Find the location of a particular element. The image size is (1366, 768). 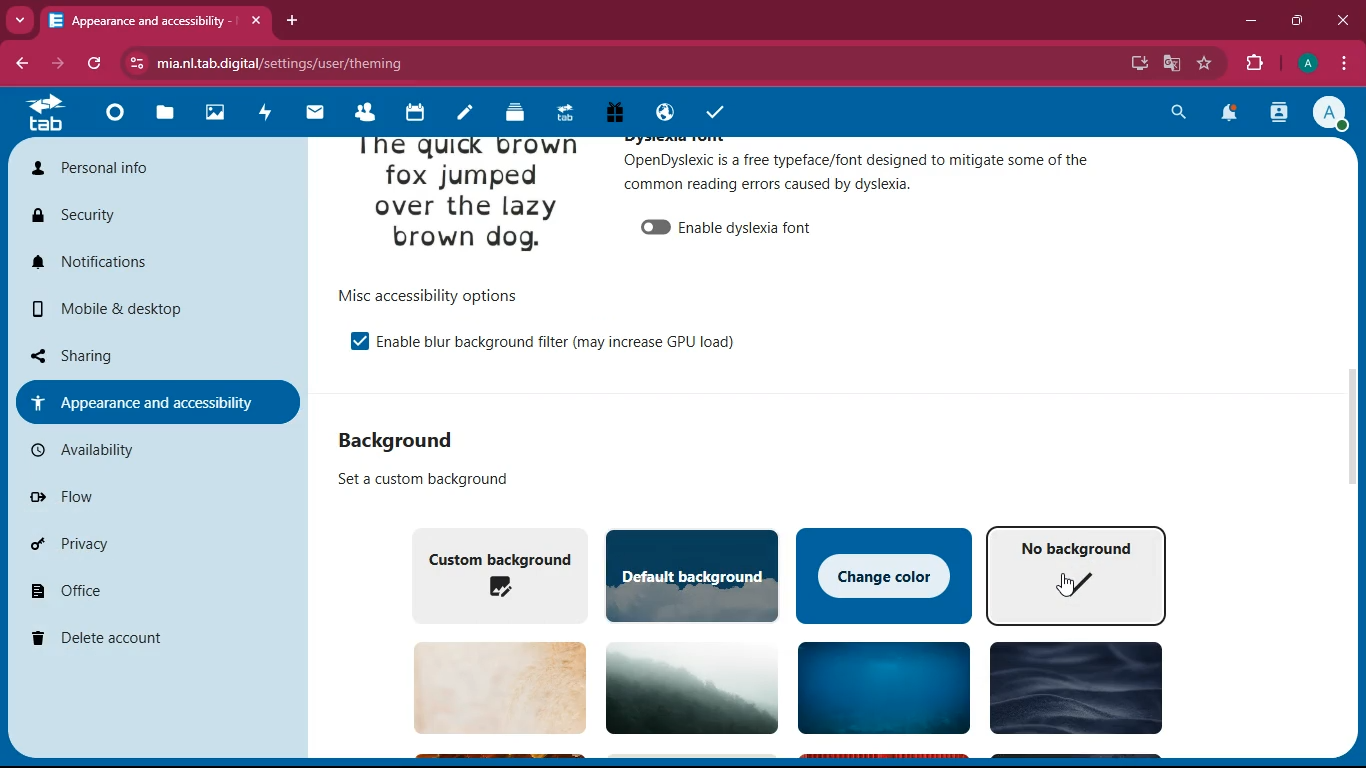

friends is located at coordinates (362, 113).